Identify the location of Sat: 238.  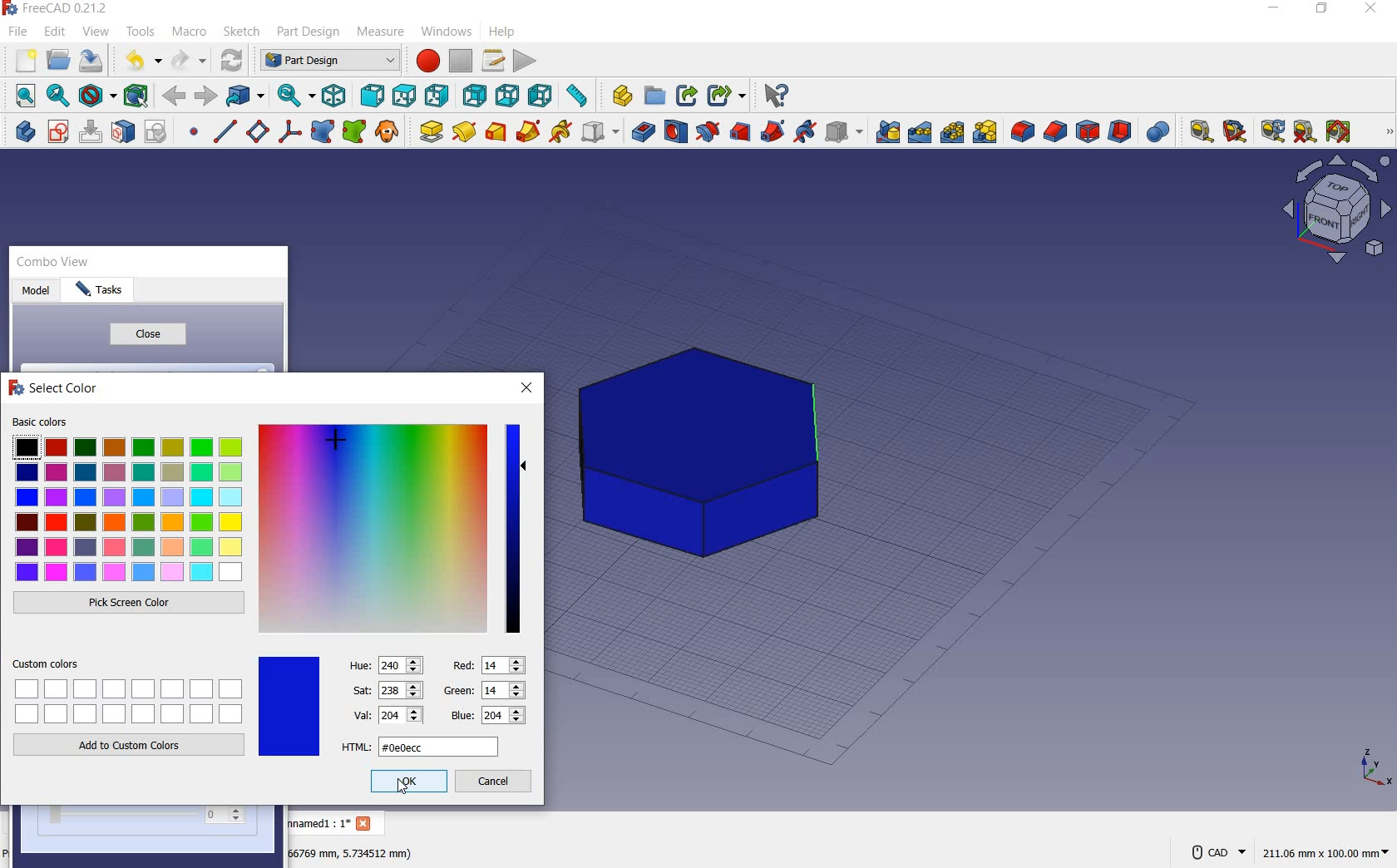
(386, 690).